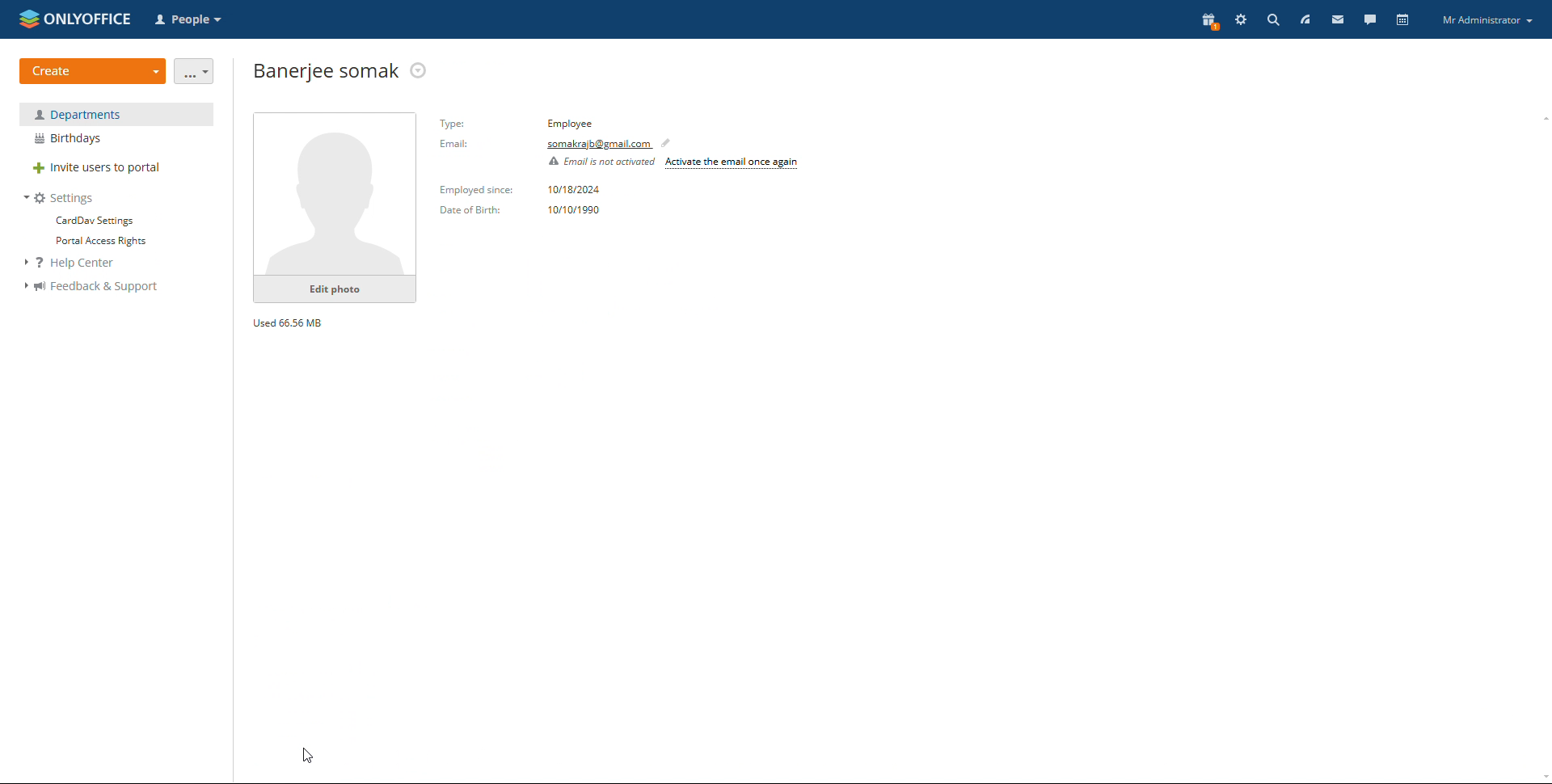 This screenshot has height=784, width=1552. What do you see at coordinates (475, 190) in the screenshot?
I see `Employed since:` at bounding box center [475, 190].